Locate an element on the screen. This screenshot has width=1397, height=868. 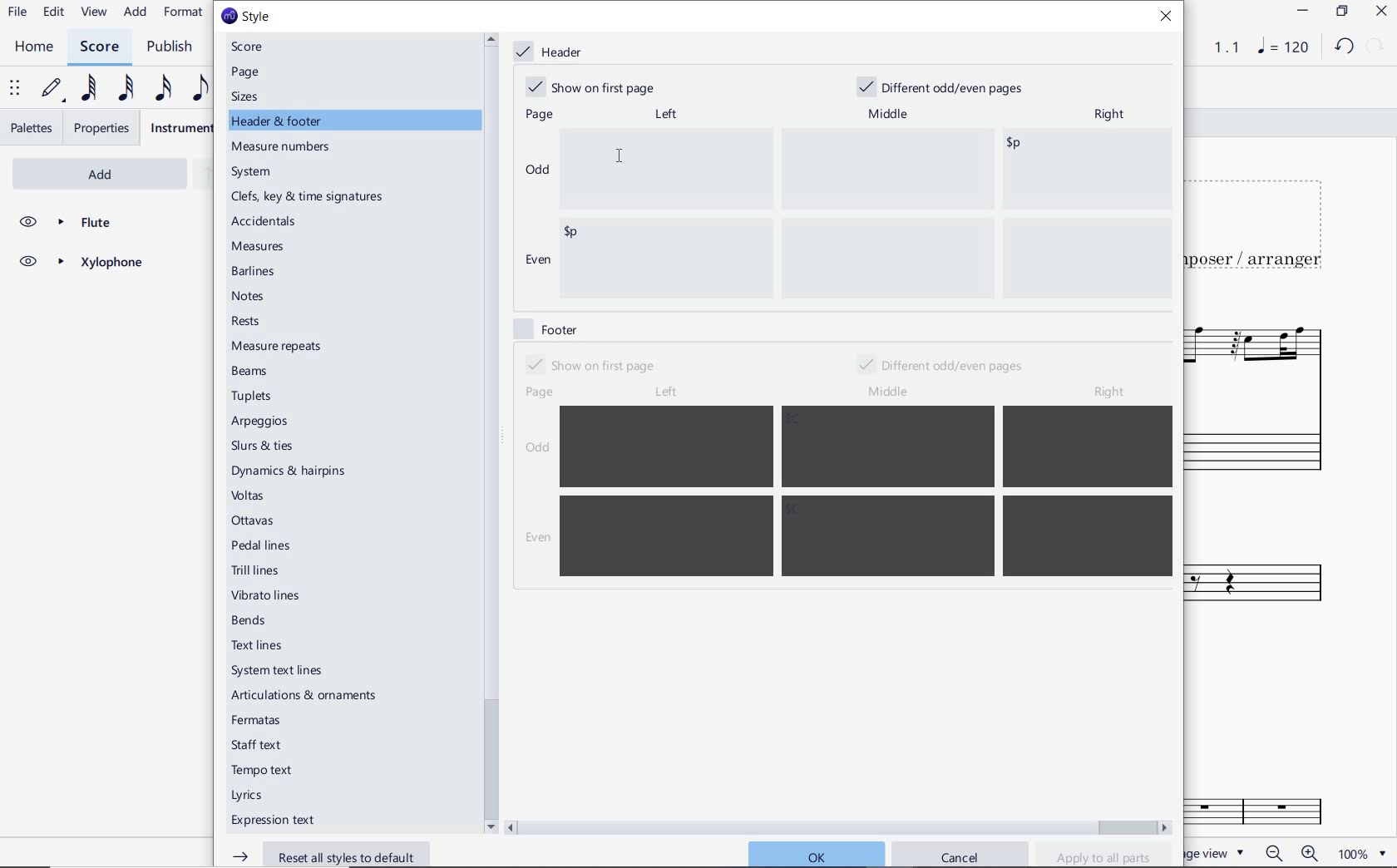
RESTORE DOWN is located at coordinates (1341, 12).